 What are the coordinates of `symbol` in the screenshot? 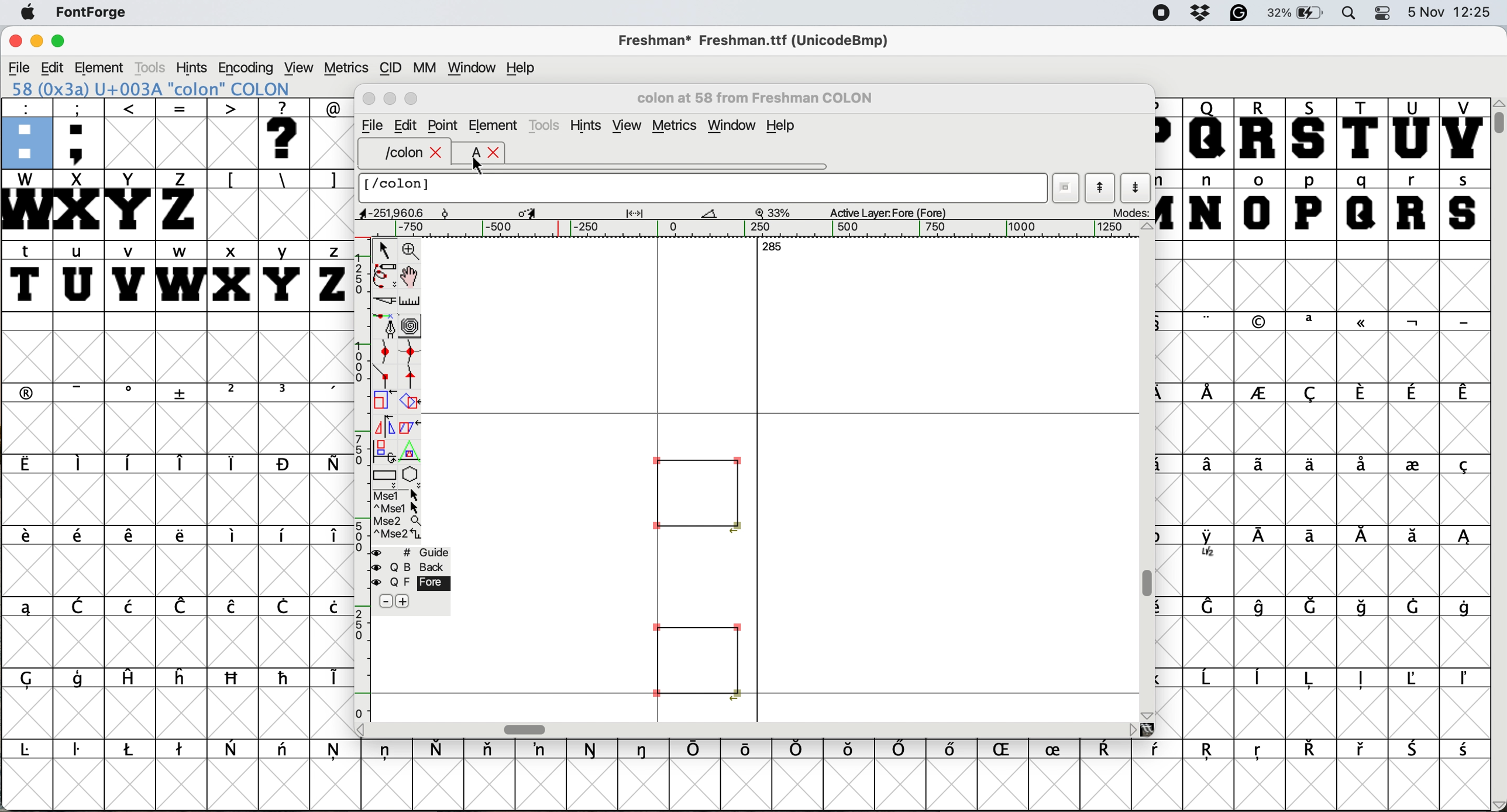 It's located at (27, 539).